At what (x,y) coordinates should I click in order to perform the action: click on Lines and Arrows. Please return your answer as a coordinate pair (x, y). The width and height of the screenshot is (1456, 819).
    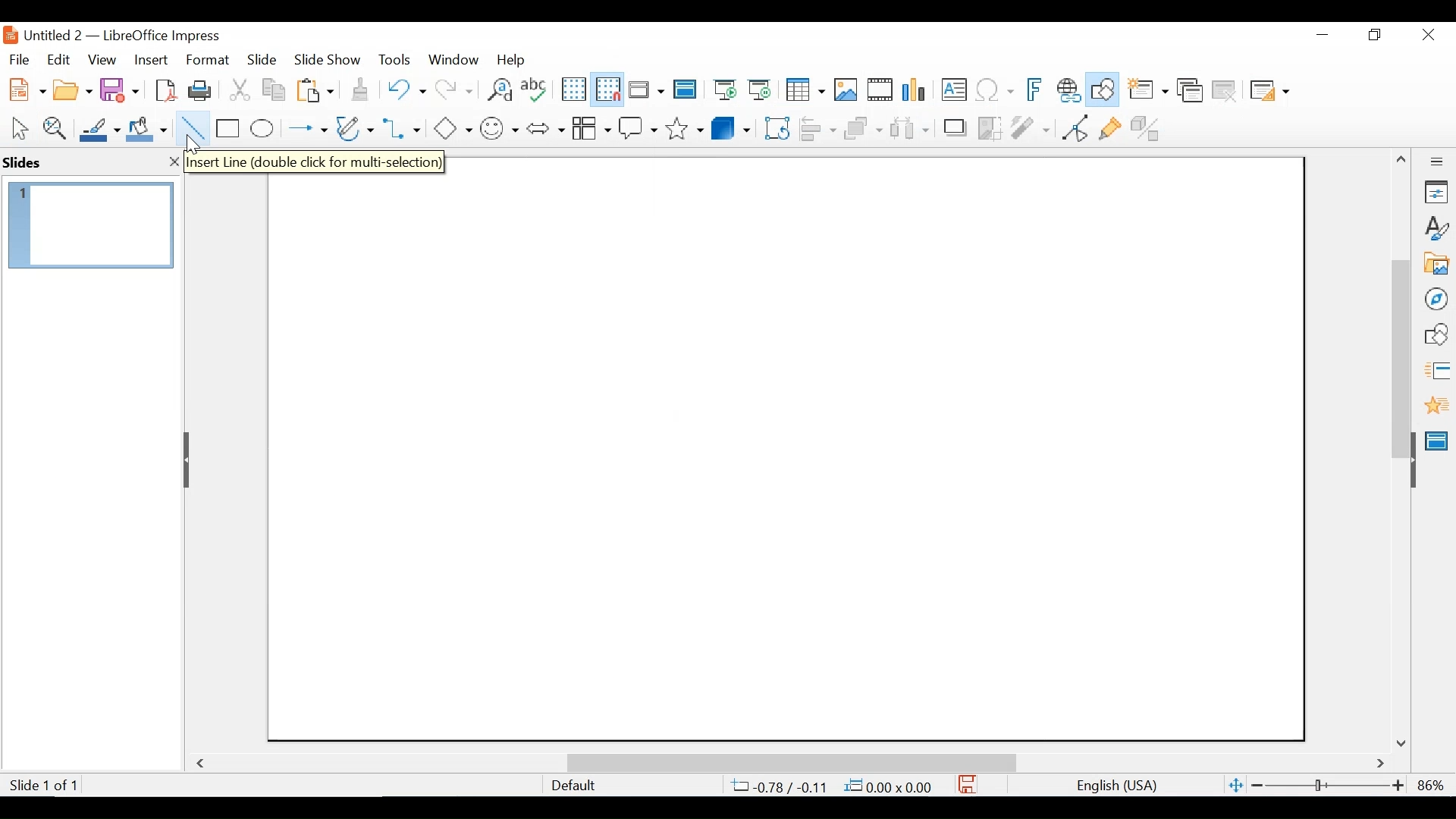
    Looking at the image, I should click on (304, 129).